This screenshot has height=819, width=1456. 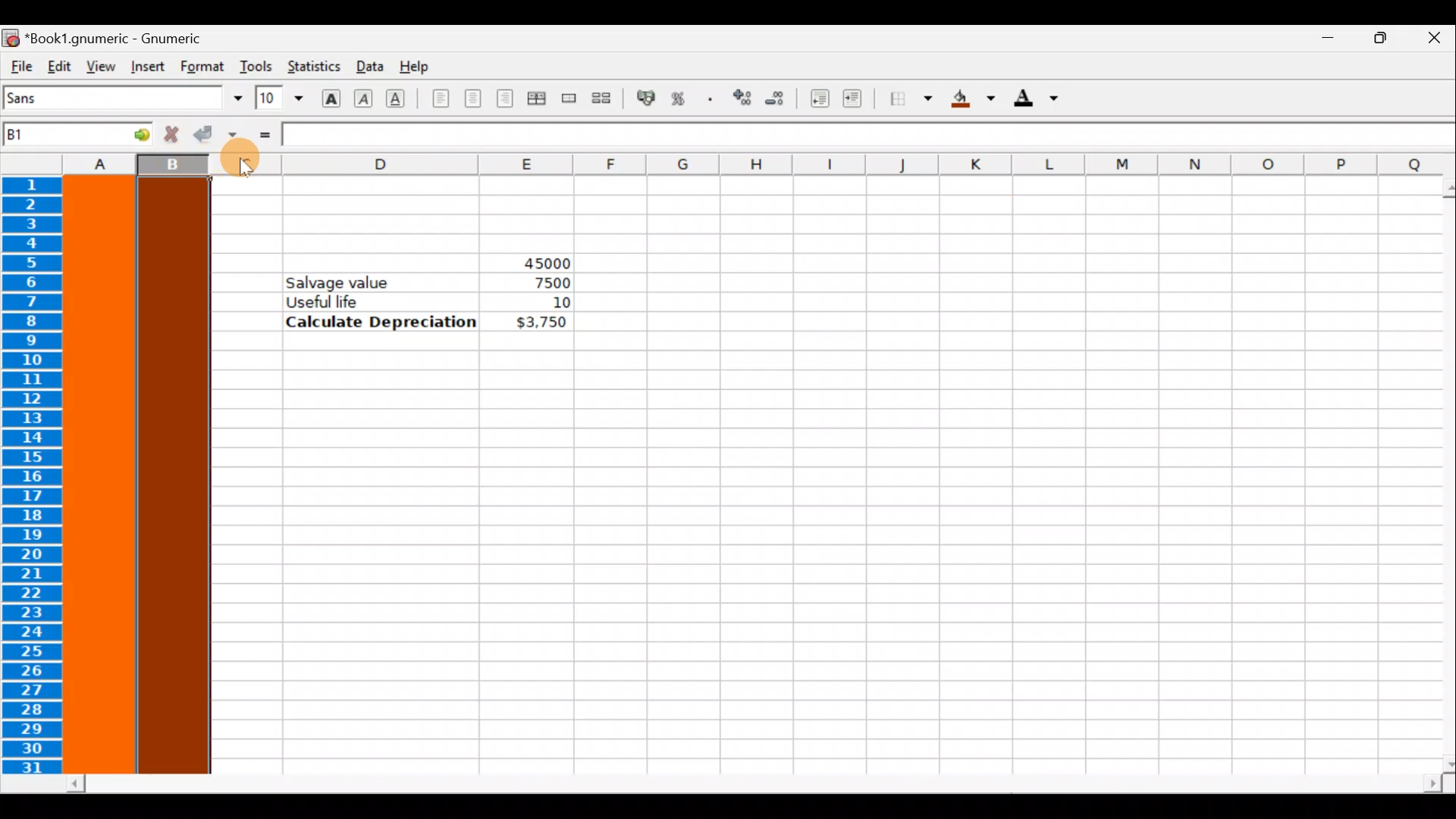 I want to click on Align right, so click(x=504, y=99).